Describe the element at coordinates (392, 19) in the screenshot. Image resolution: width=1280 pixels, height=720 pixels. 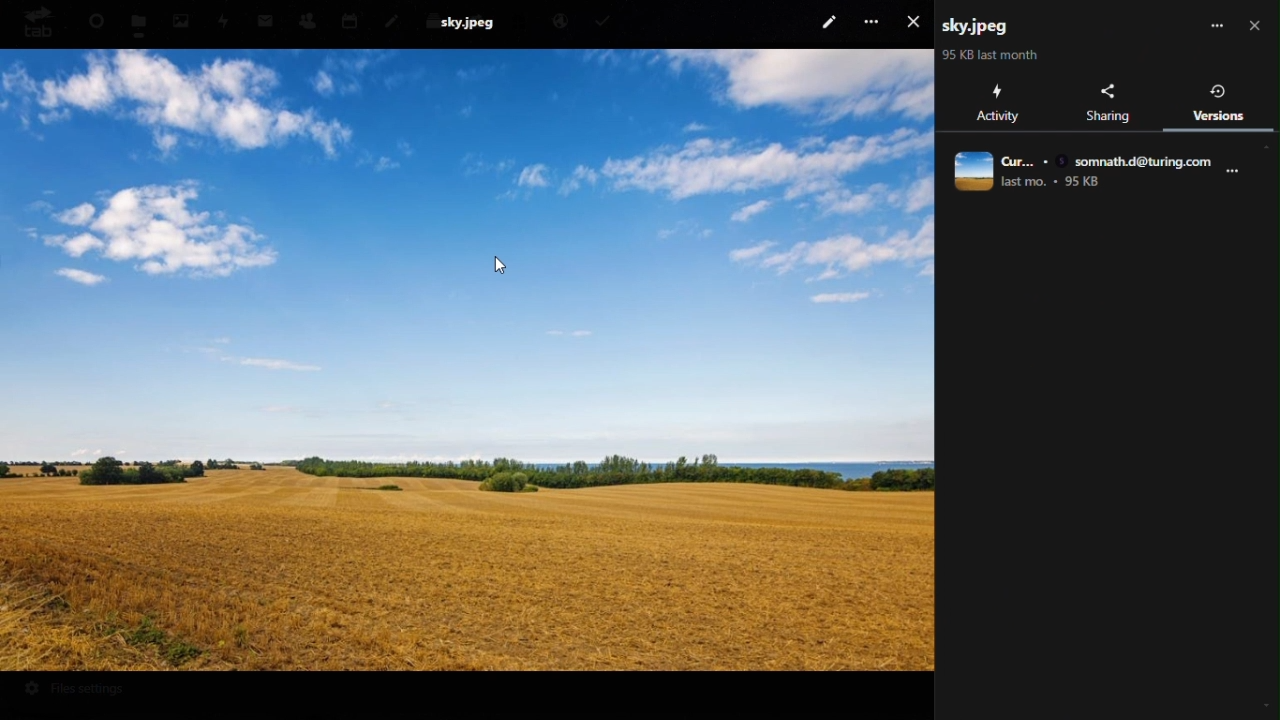
I see `Notes` at that location.